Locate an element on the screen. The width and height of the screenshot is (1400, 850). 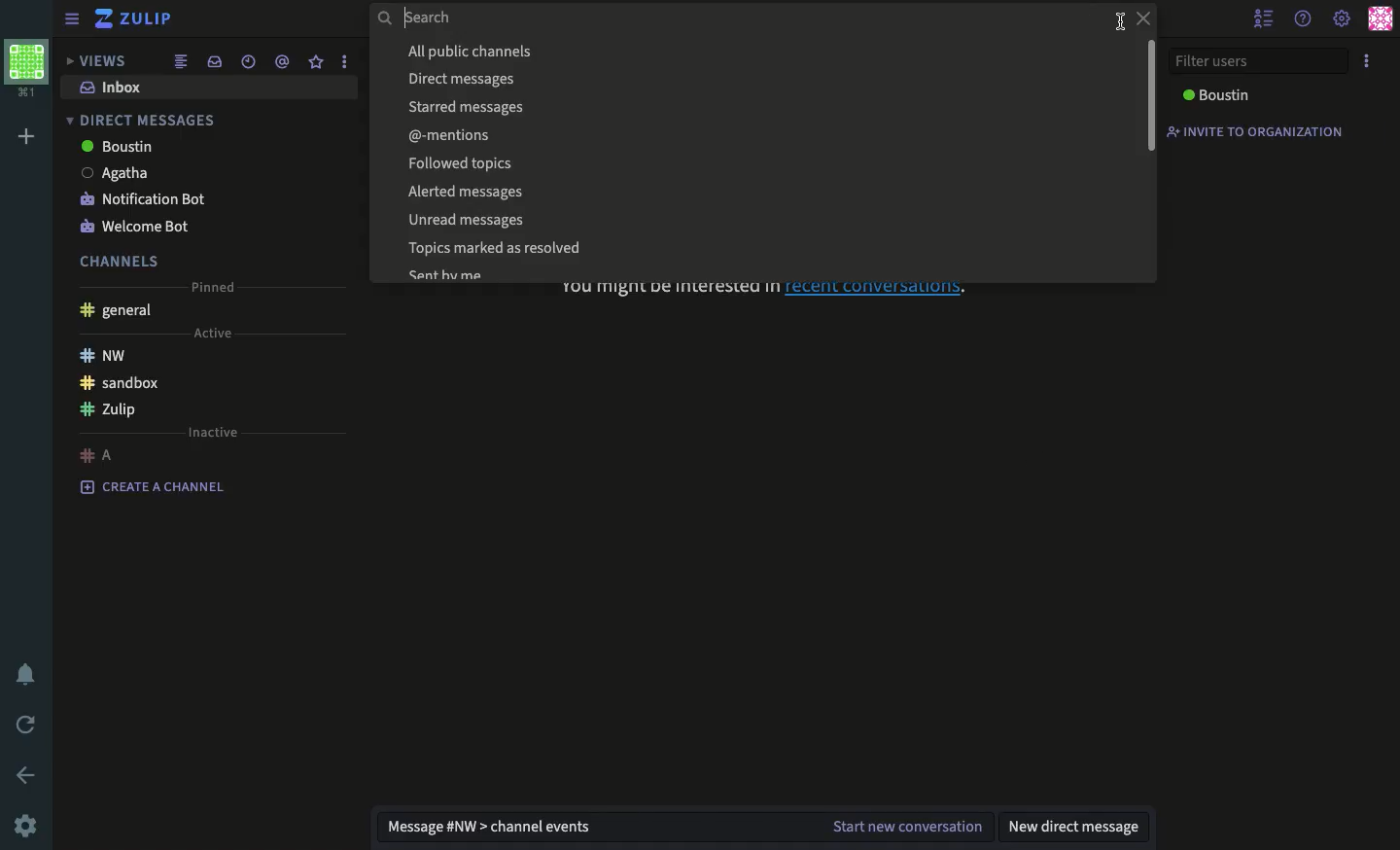
notification bot is located at coordinates (144, 201).